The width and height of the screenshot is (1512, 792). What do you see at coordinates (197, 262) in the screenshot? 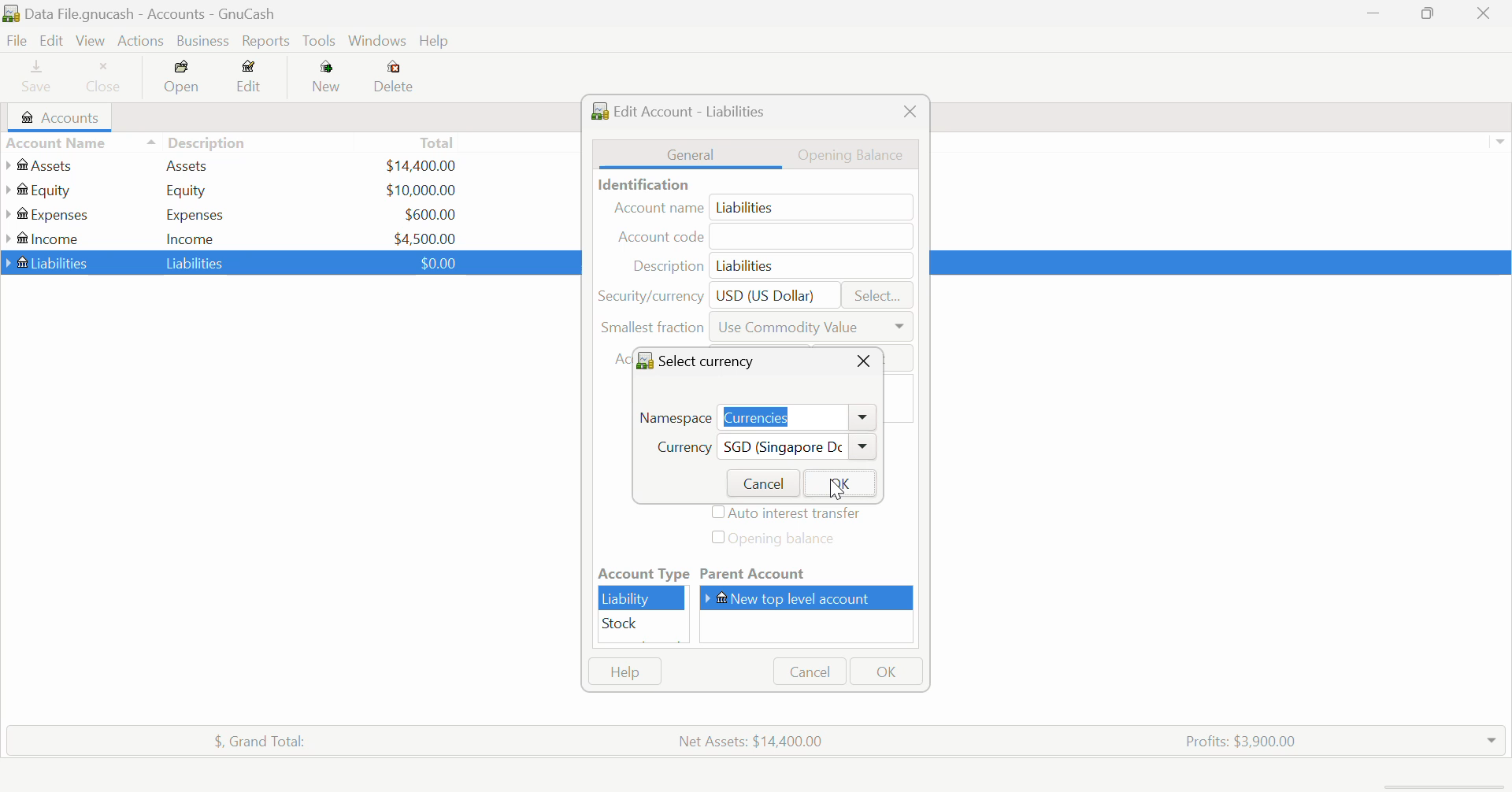
I see `Liabilities` at bounding box center [197, 262].